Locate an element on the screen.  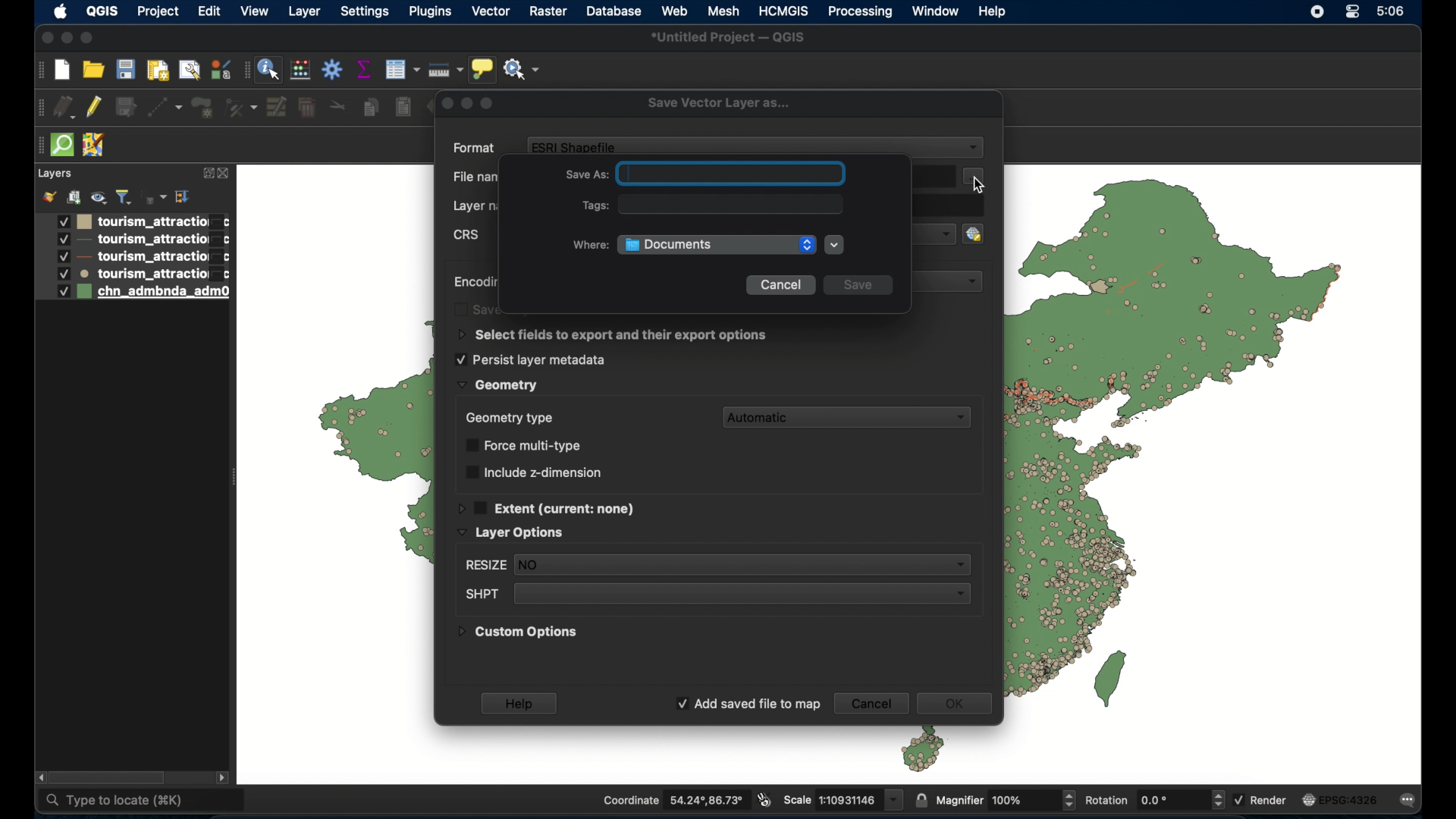
web is located at coordinates (675, 10).